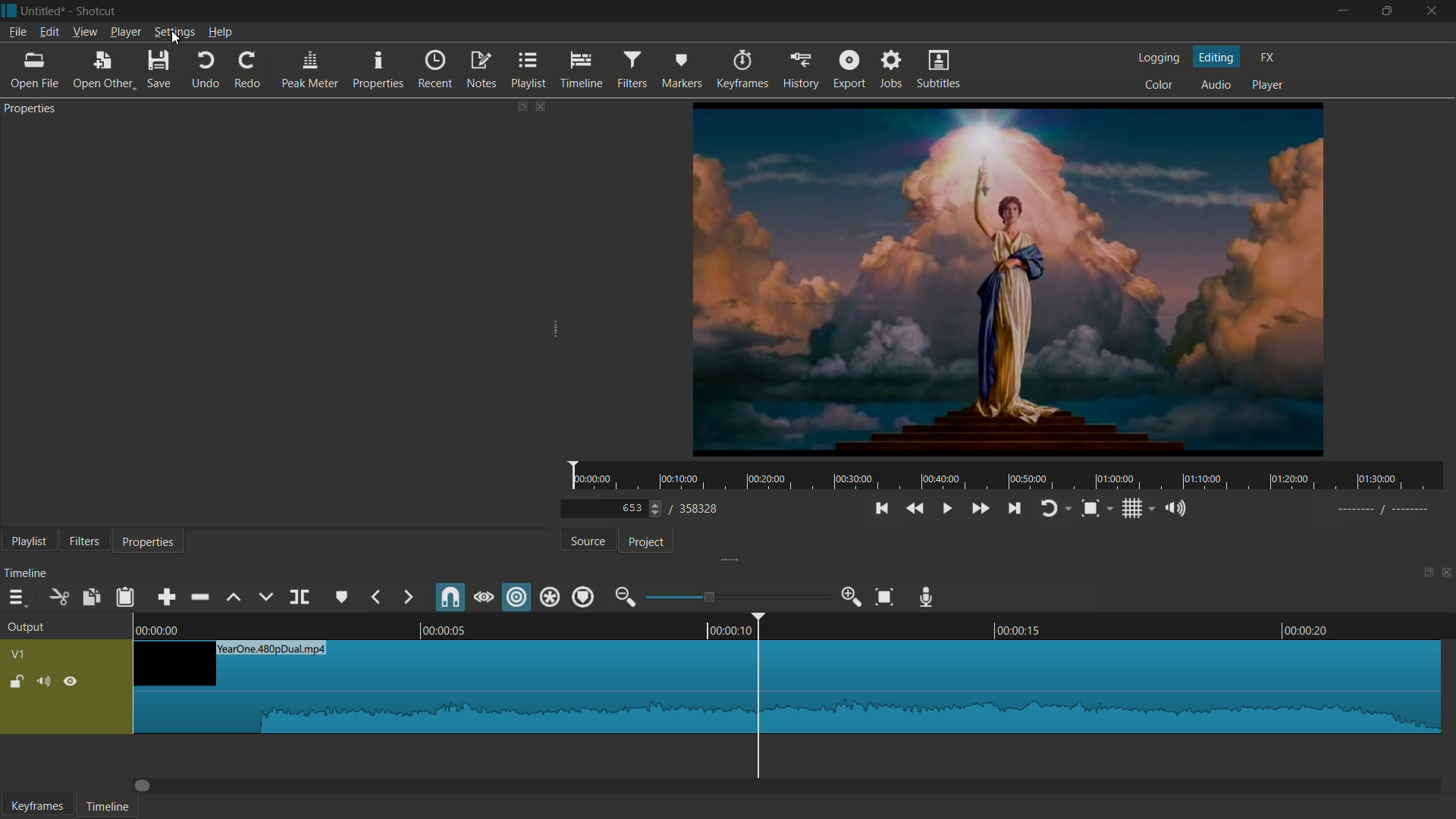 The image size is (1456, 819). I want to click on timeline, so click(110, 808).